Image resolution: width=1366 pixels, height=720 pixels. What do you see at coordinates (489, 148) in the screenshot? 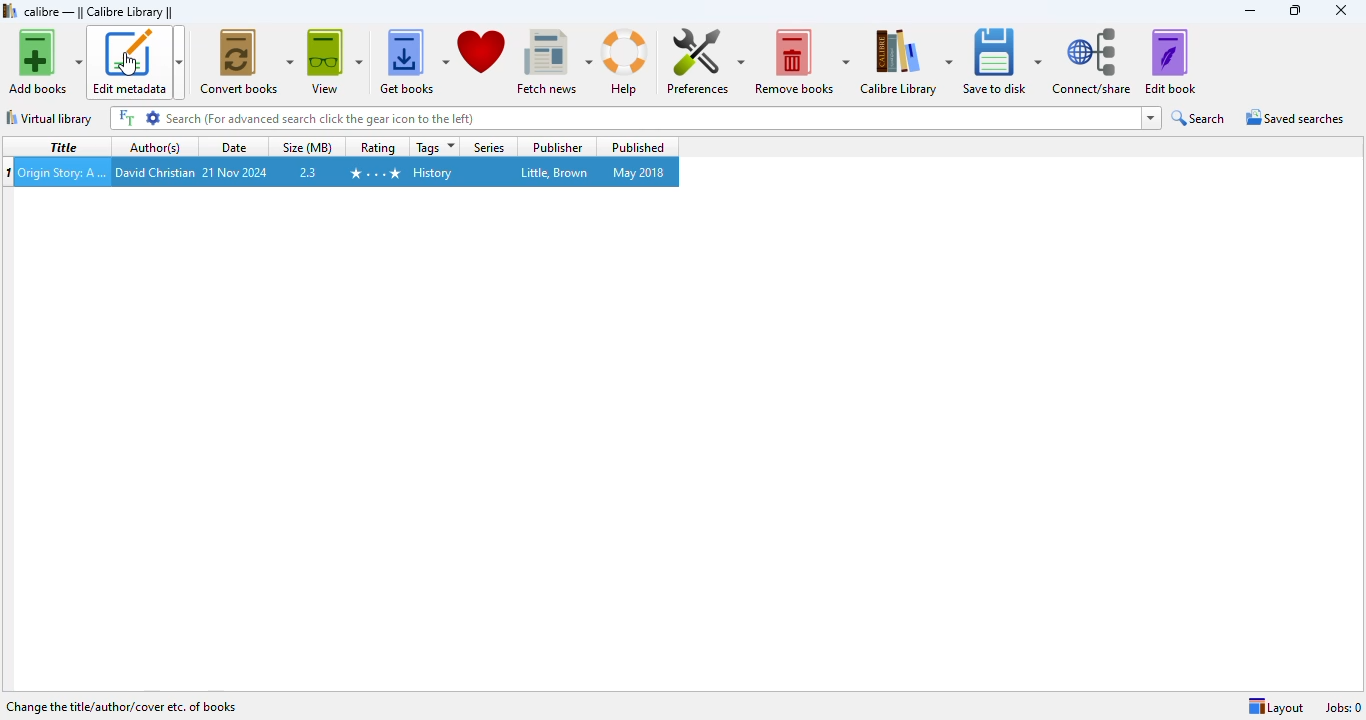
I see `series` at bounding box center [489, 148].